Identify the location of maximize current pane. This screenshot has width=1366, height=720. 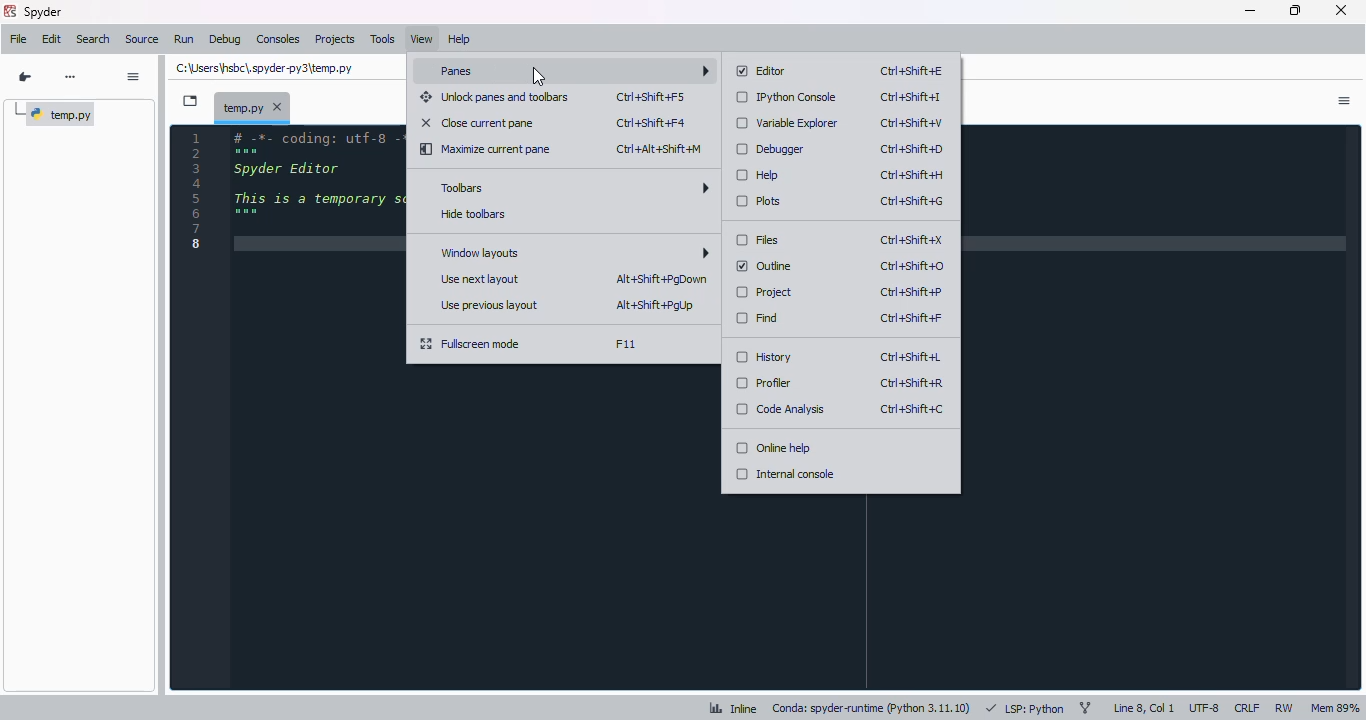
(485, 149).